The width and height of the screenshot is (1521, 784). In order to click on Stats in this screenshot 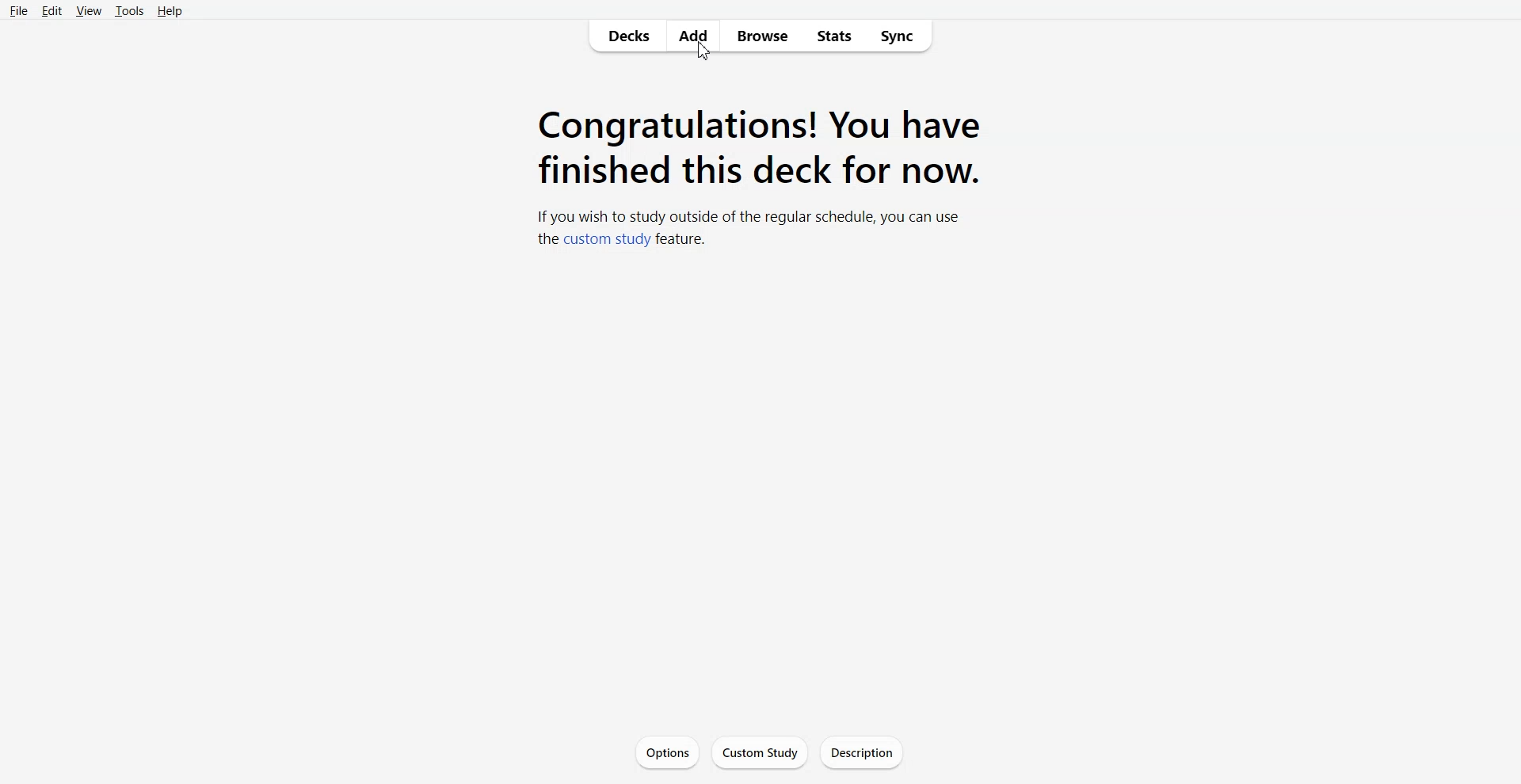, I will do `click(834, 36)`.